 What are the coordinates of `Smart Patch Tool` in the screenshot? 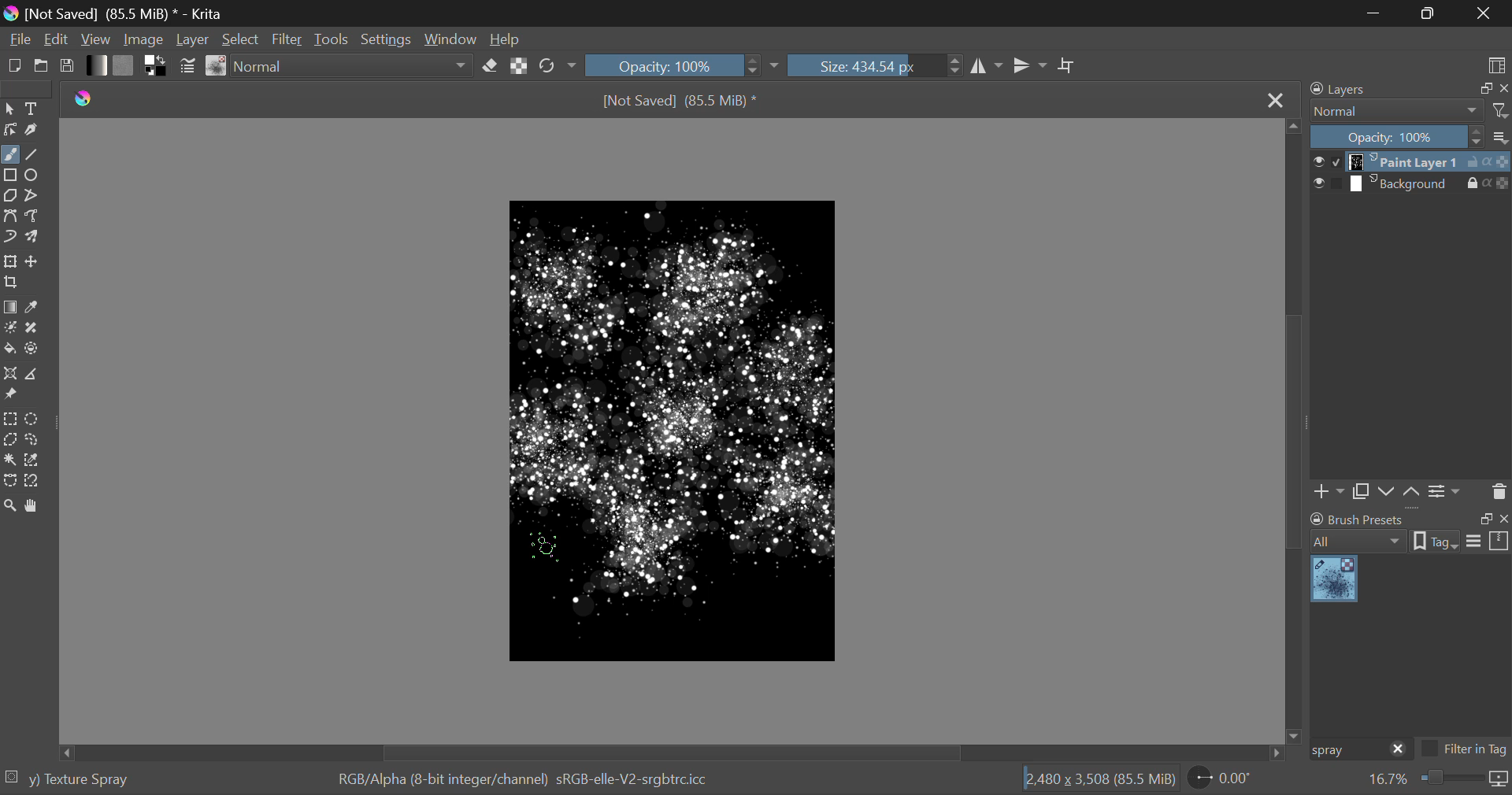 It's located at (32, 331).